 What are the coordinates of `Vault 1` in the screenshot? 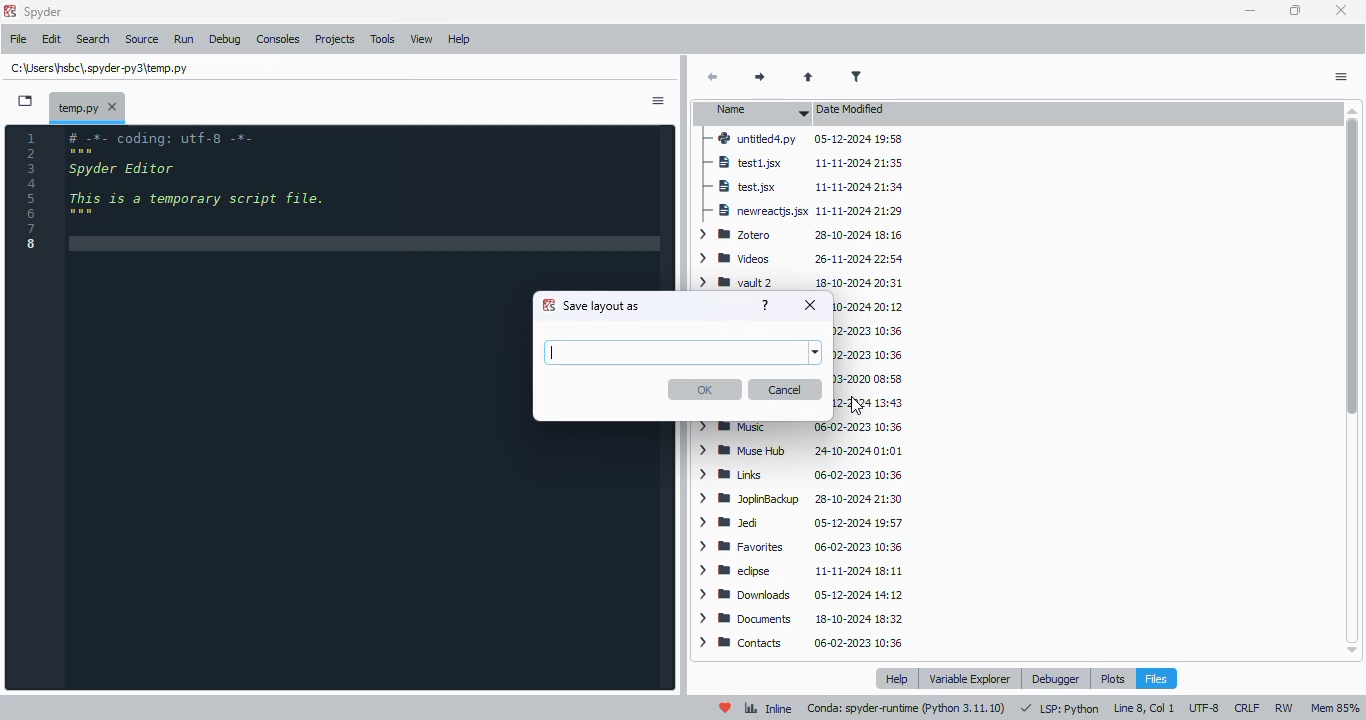 It's located at (867, 306).